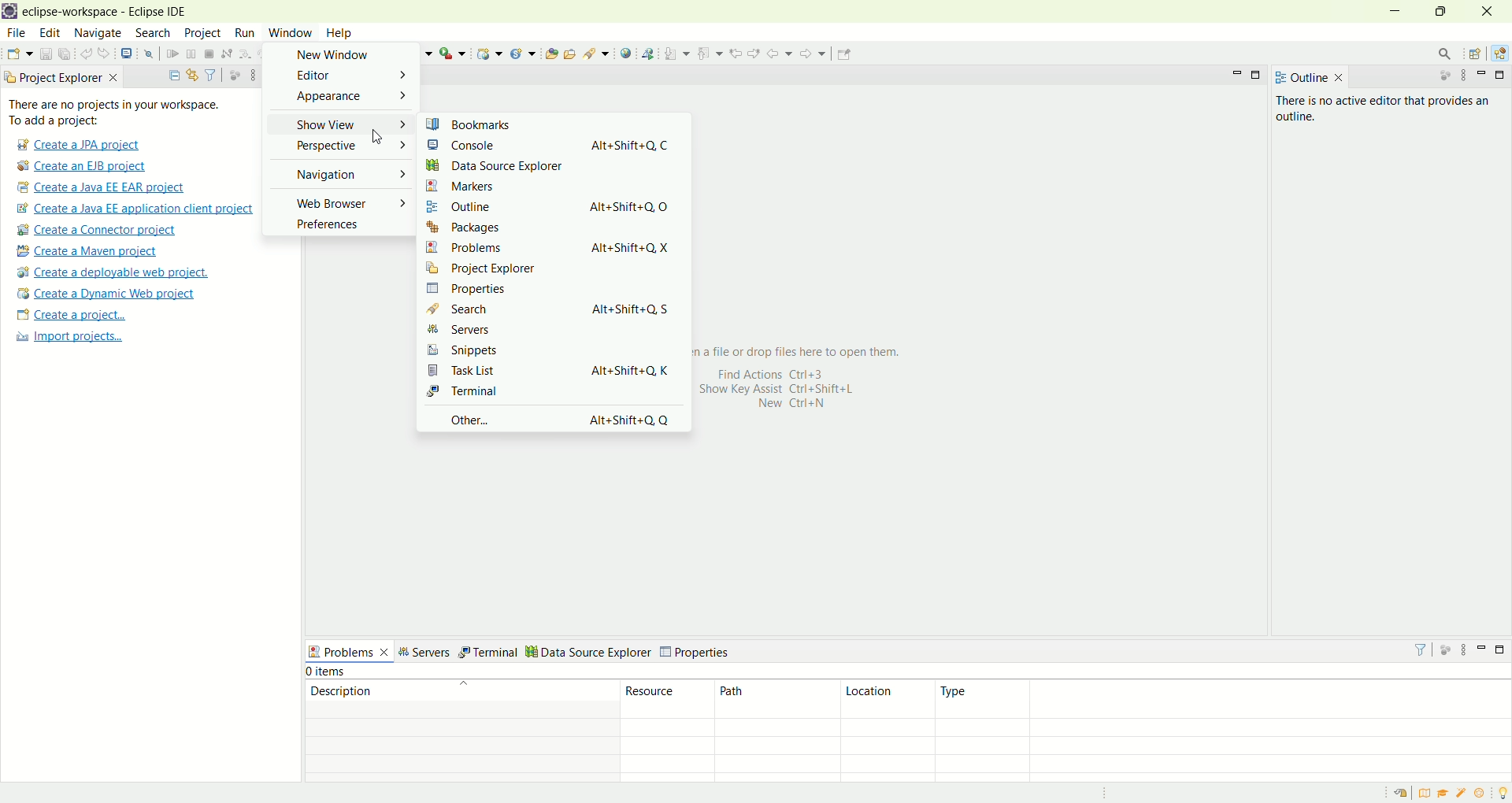 This screenshot has height=803, width=1512. What do you see at coordinates (343, 228) in the screenshot?
I see `preferences` at bounding box center [343, 228].